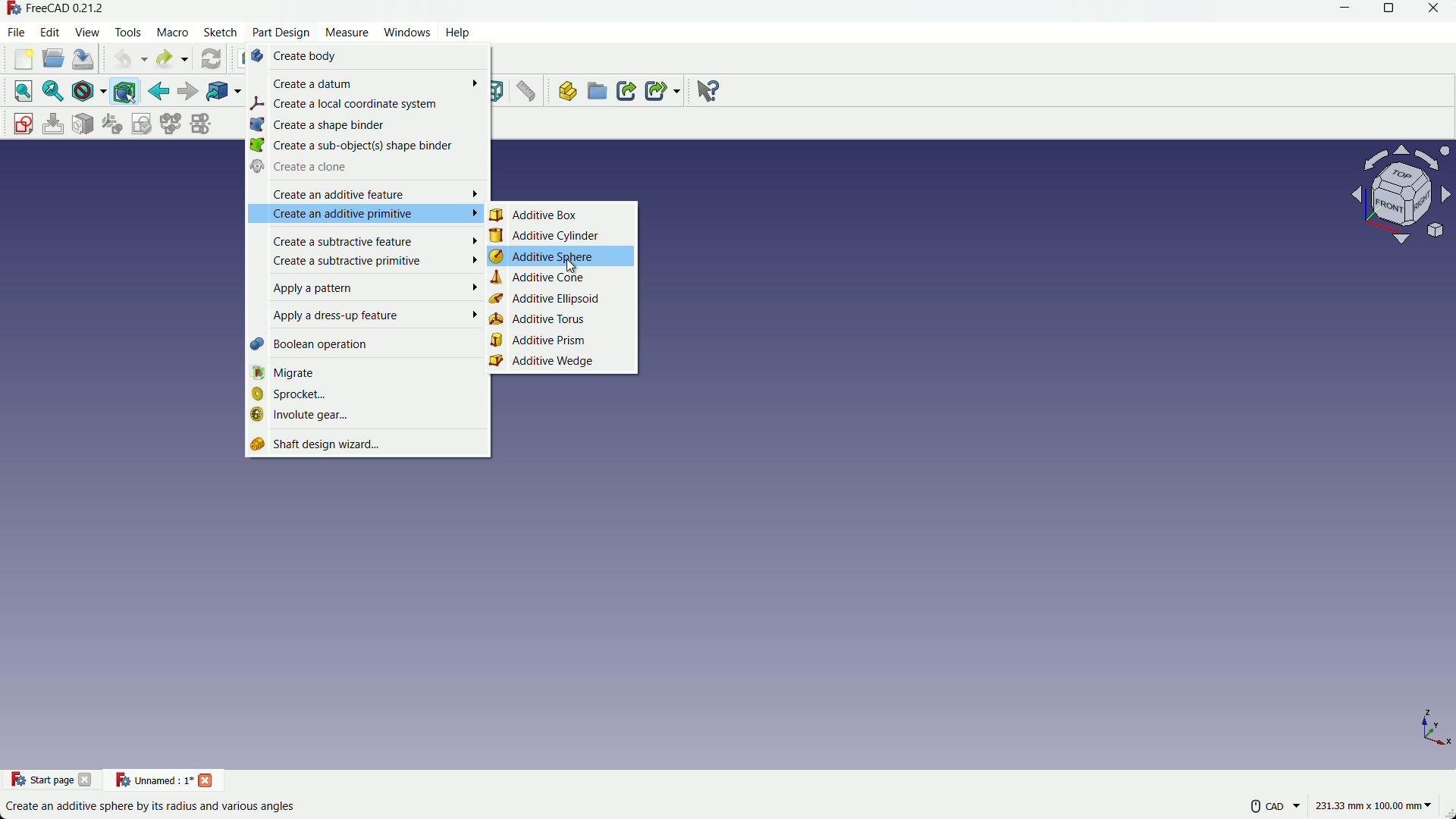 This screenshot has width=1456, height=819. Describe the element at coordinates (54, 124) in the screenshot. I see `edit sketch` at that location.